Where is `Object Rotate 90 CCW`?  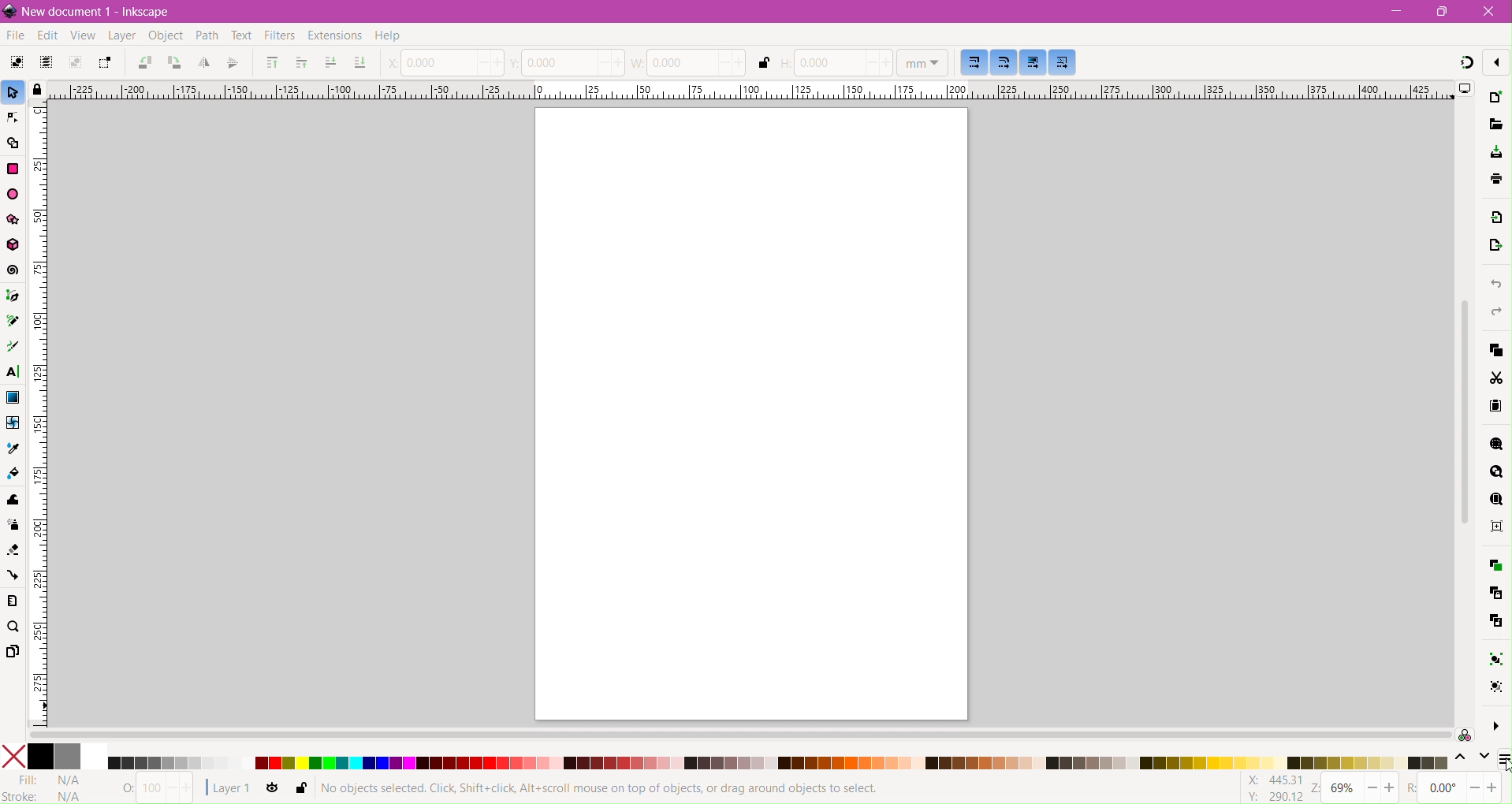
Object Rotate 90 CCW is located at coordinates (142, 64).